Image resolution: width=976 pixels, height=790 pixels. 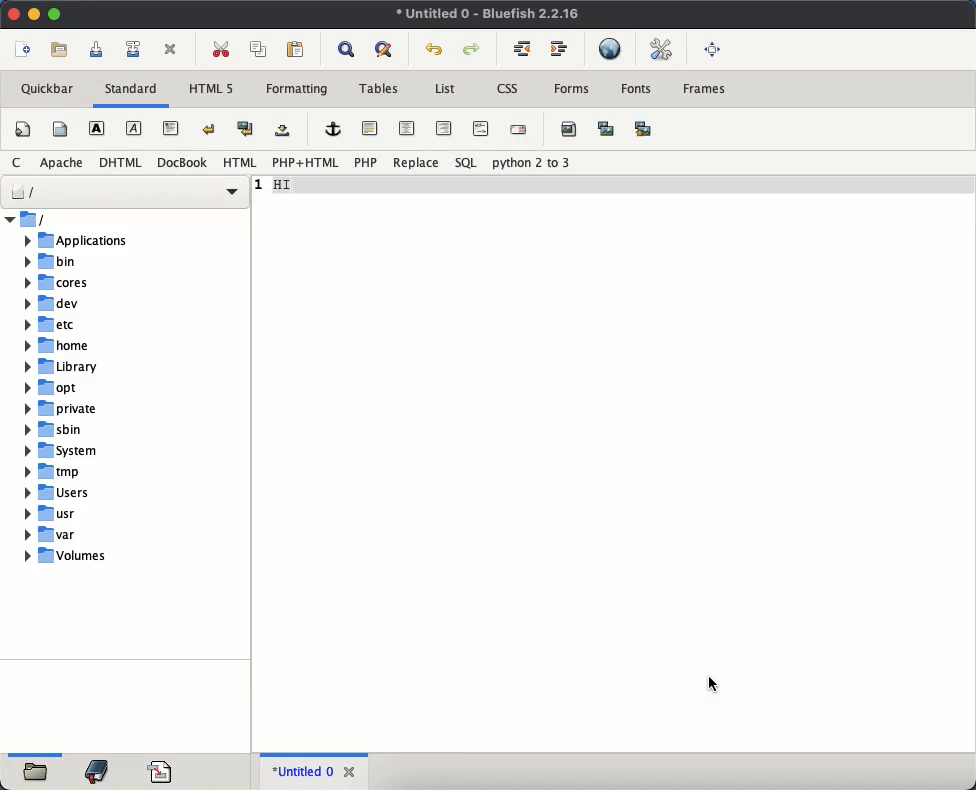 What do you see at coordinates (609, 50) in the screenshot?
I see `preview in browser` at bounding box center [609, 50].